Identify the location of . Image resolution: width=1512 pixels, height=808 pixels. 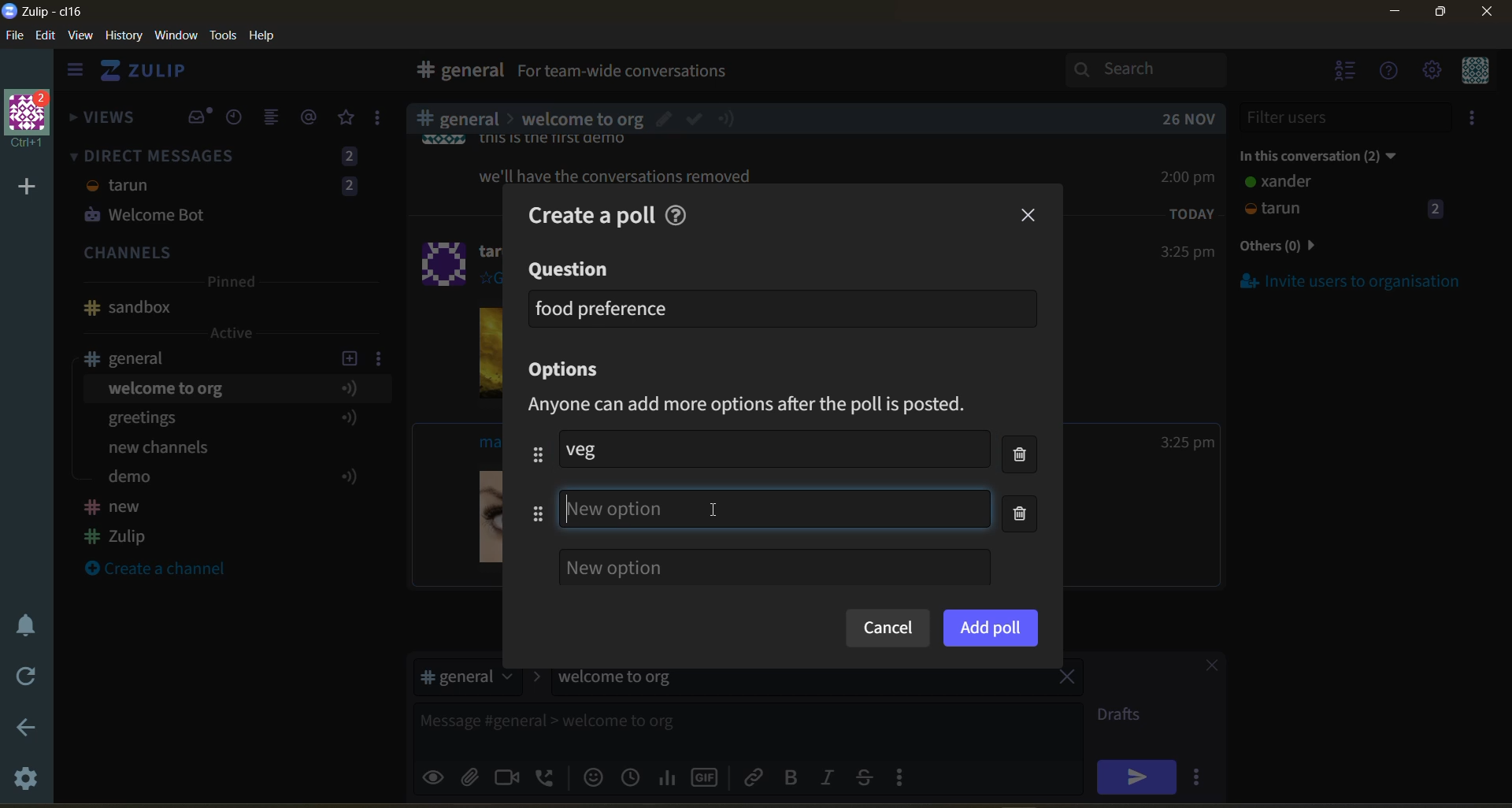
(582, 119).